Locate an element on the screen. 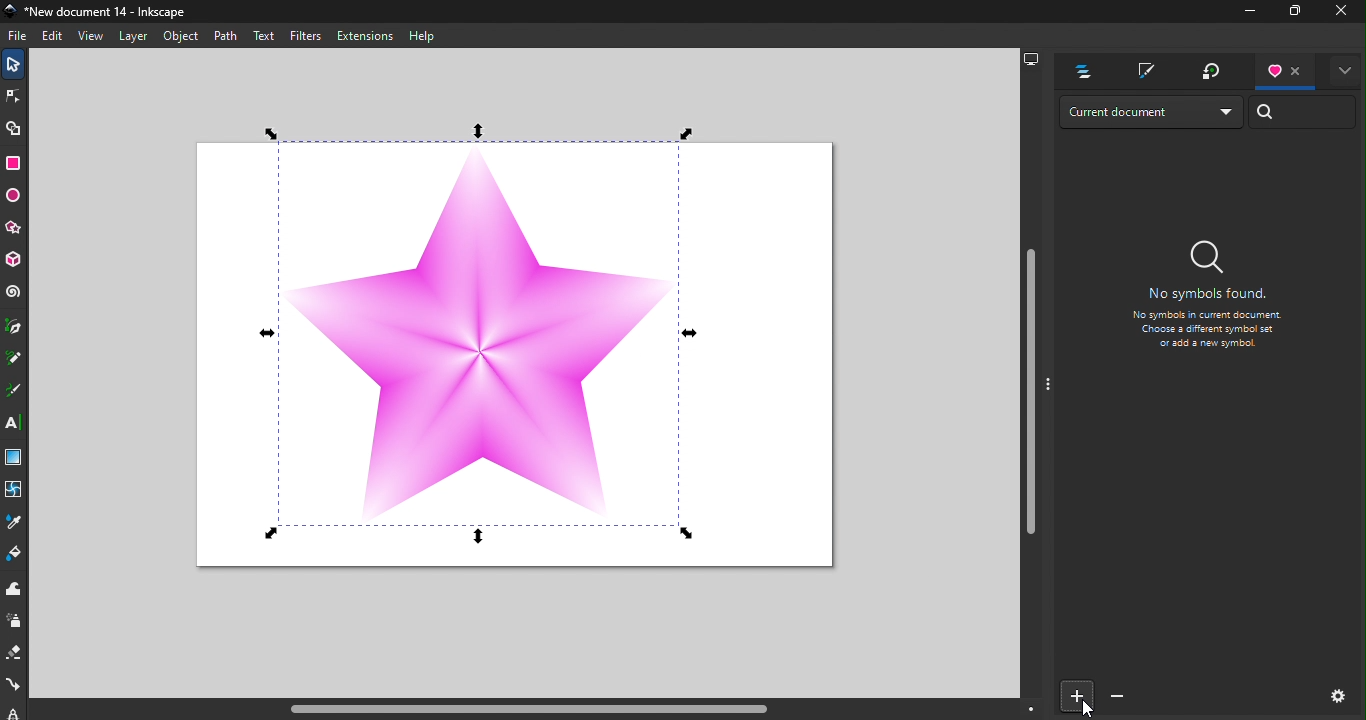 This screenshot has height=720, width=1366. Help is located at coordinates (421, 37).